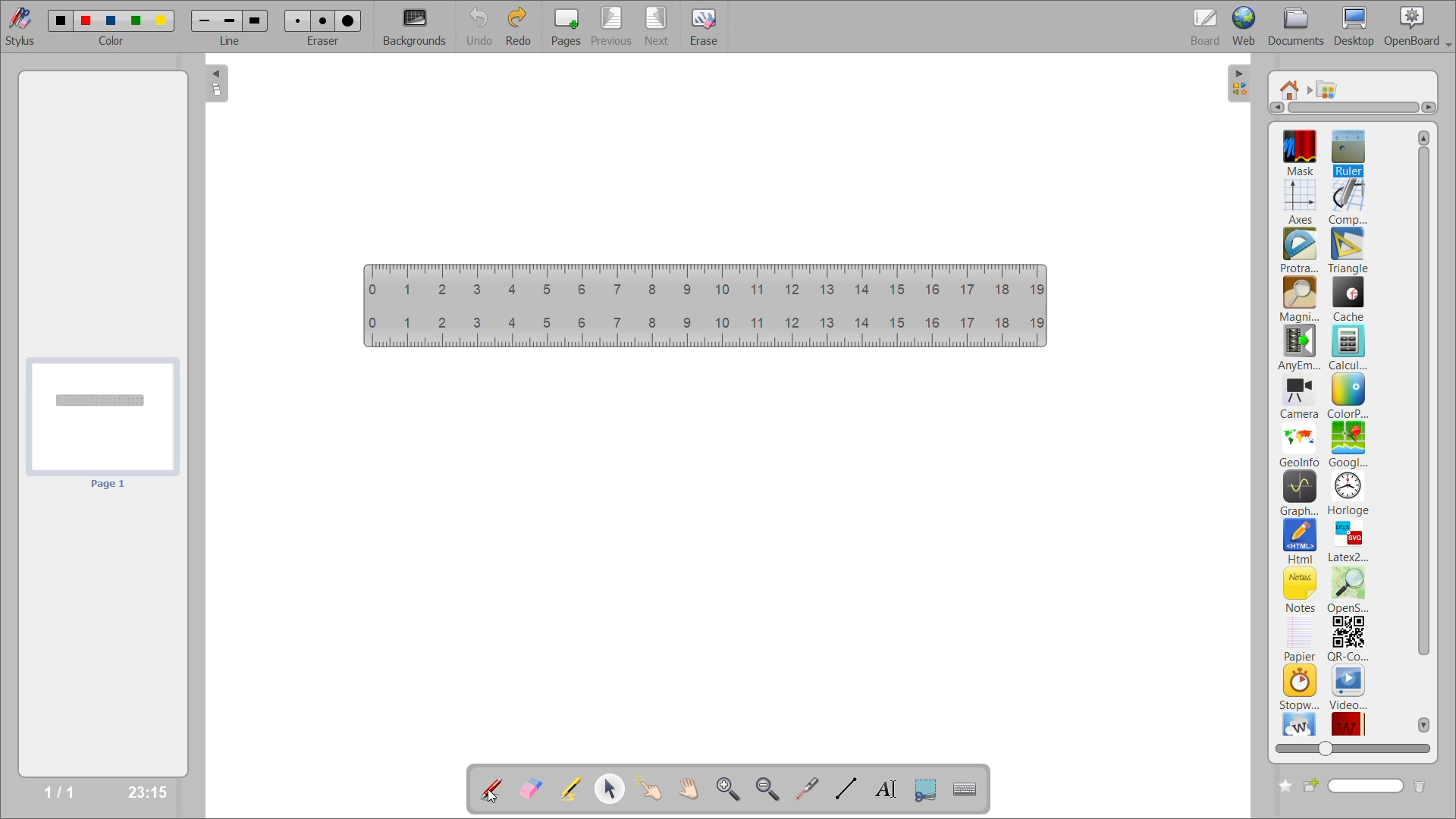 This screenshot has height=819, width=1456. I want to click on horloge, so click(1349, 493).